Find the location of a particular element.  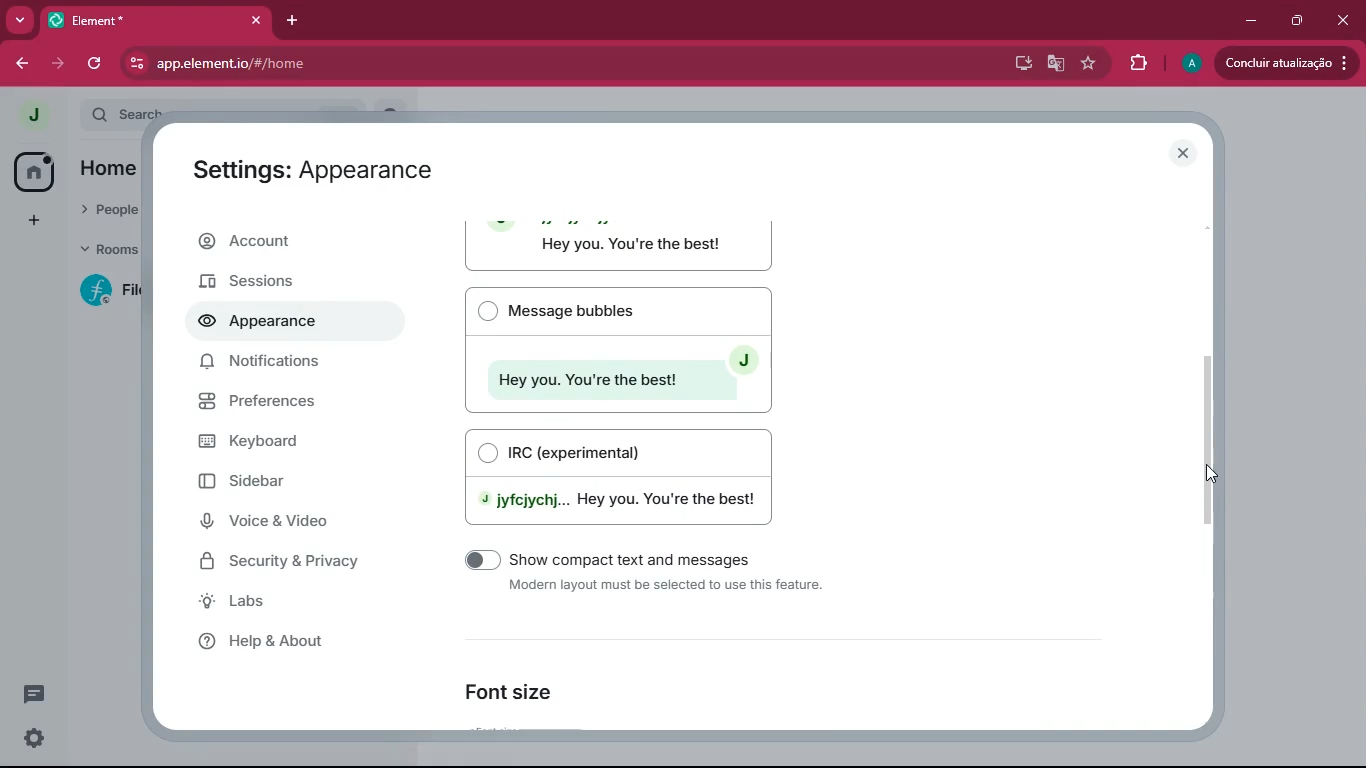

help is located at coordinates (301, 640).